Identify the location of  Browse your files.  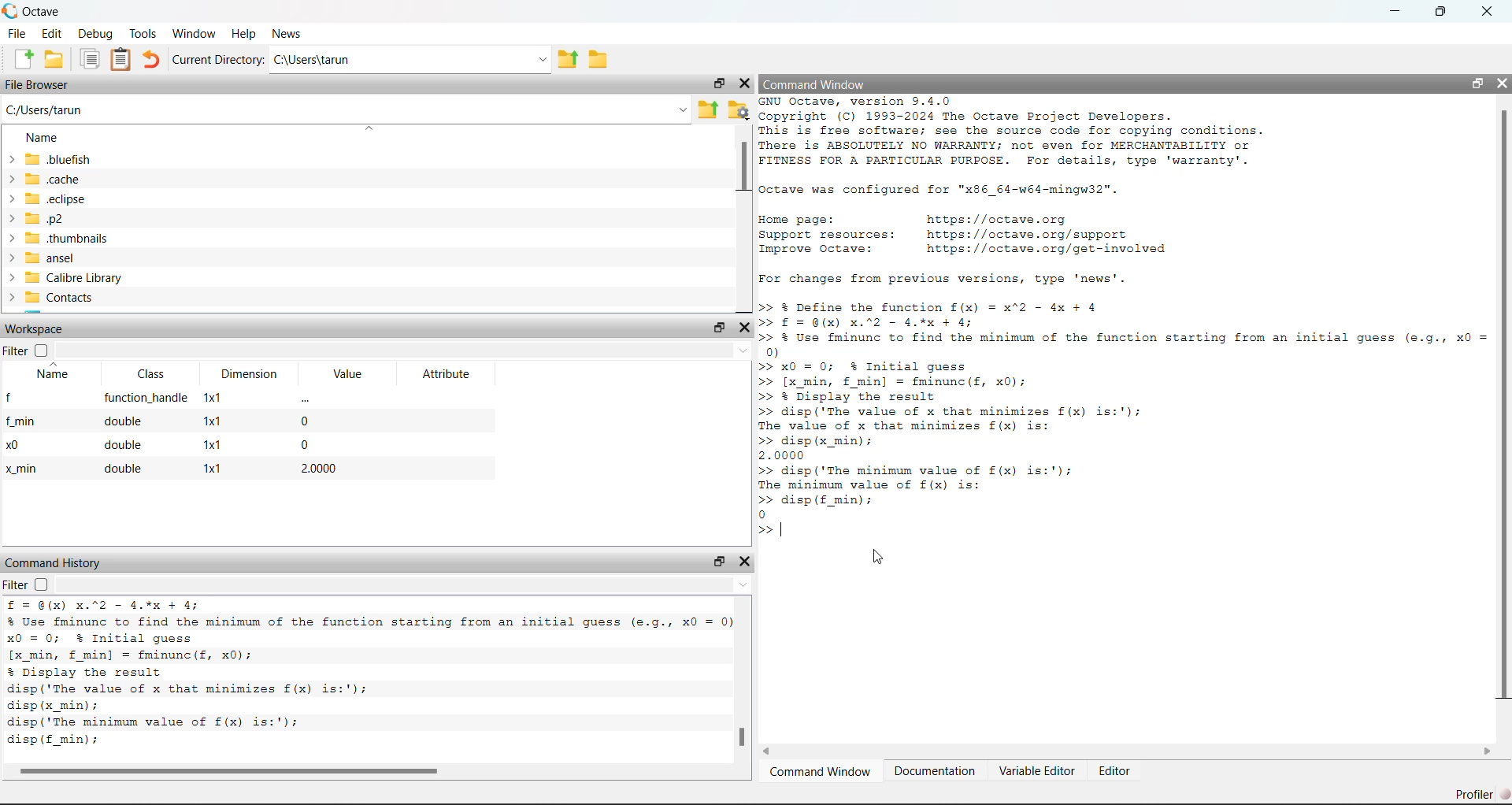
(738, 107).